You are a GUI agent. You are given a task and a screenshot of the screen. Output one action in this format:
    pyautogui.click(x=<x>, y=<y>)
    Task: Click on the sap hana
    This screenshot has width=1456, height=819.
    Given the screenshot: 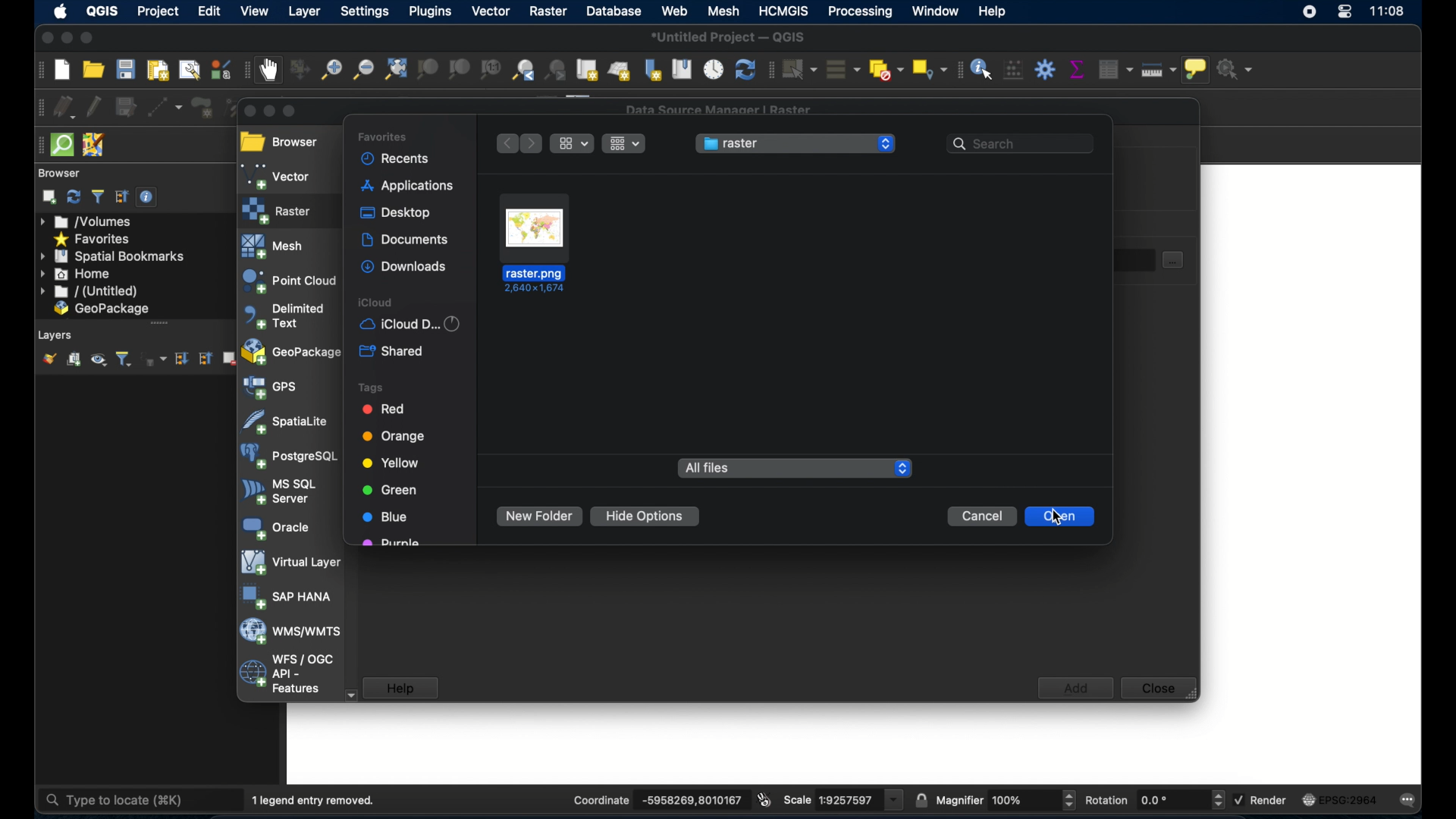 What is the action you would take?
    pyautogui.click(x=288, y=596)
    